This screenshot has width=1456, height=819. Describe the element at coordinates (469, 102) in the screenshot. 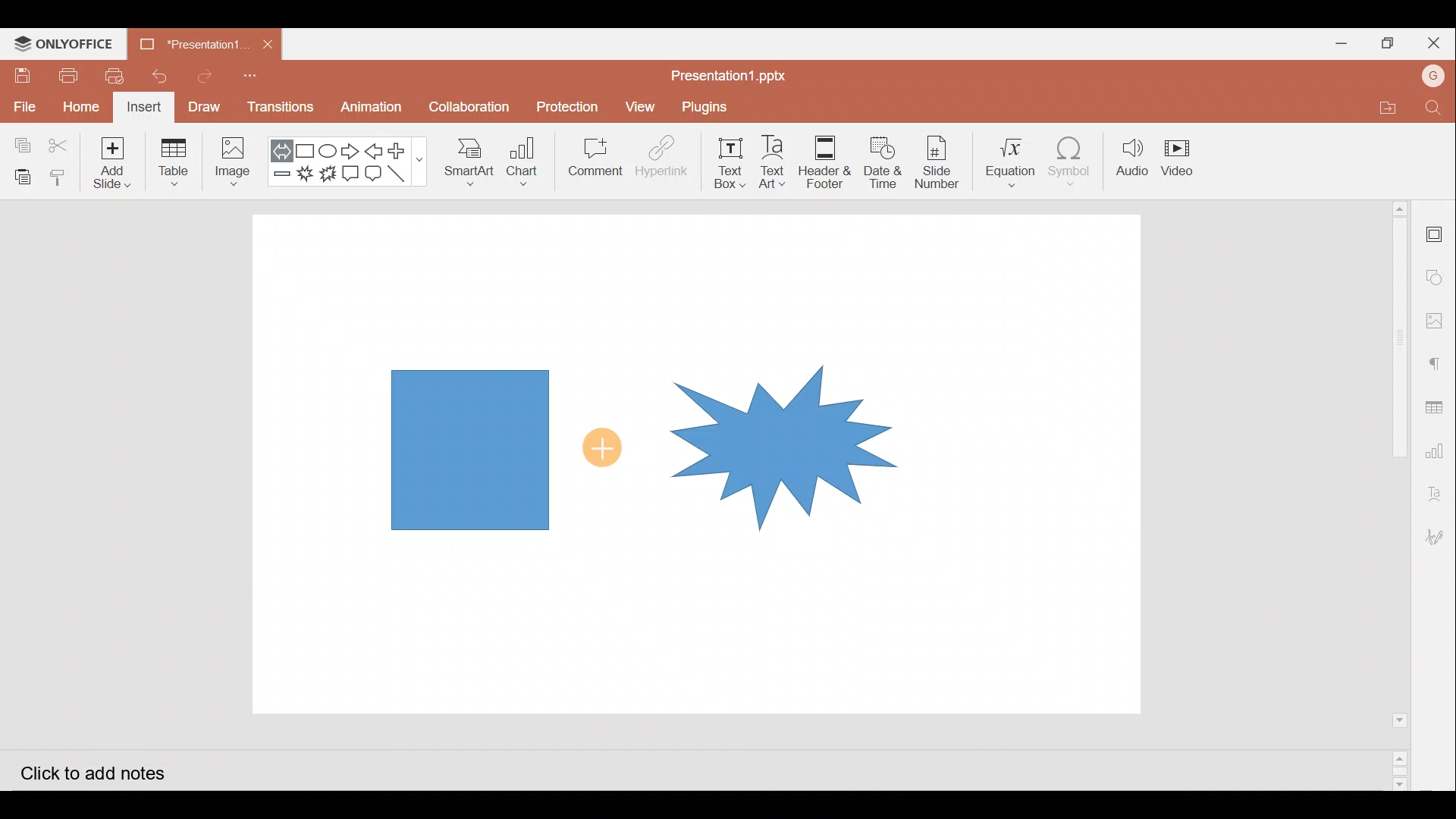

I see `Collaboration` at that location.